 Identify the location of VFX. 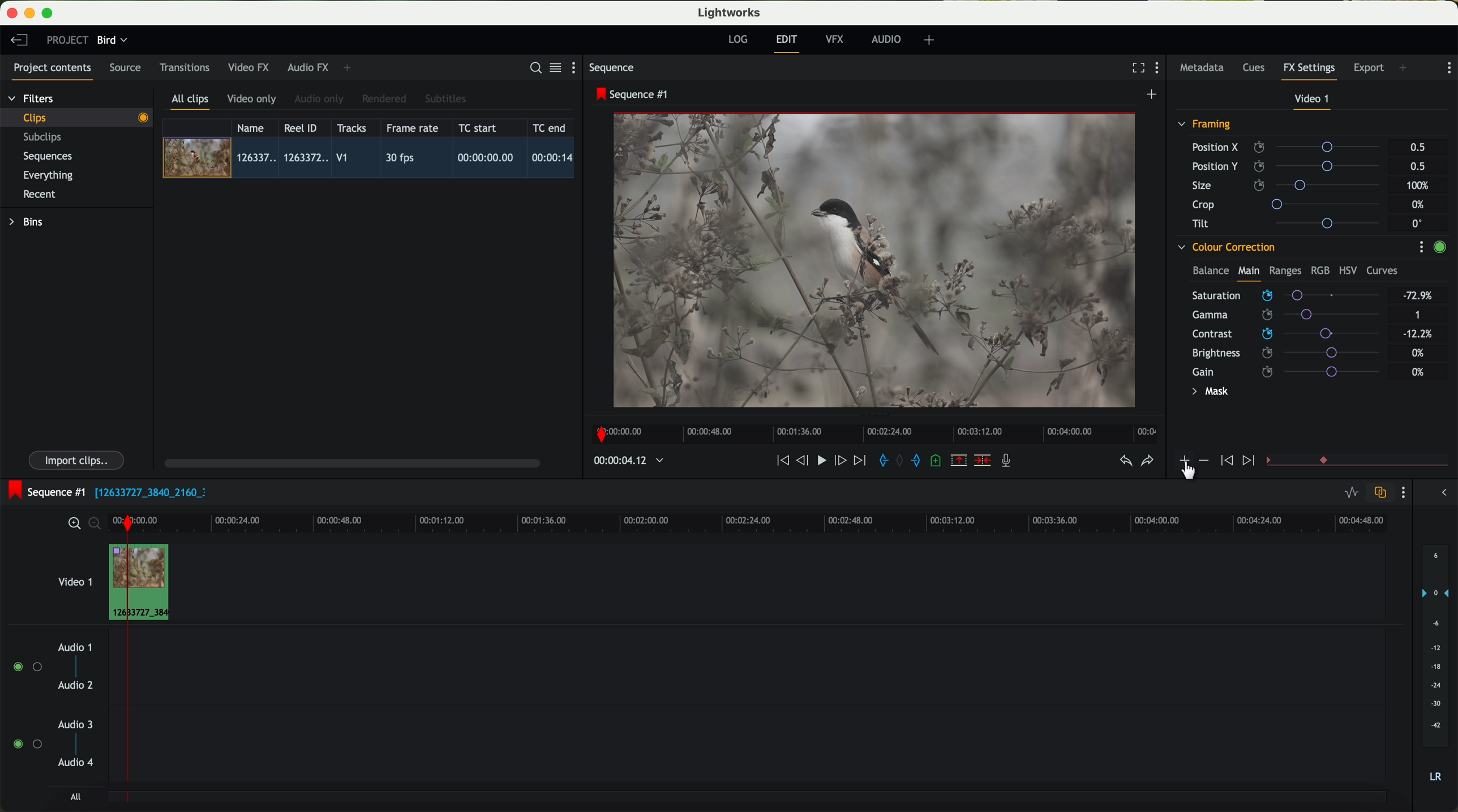
(837, 40).